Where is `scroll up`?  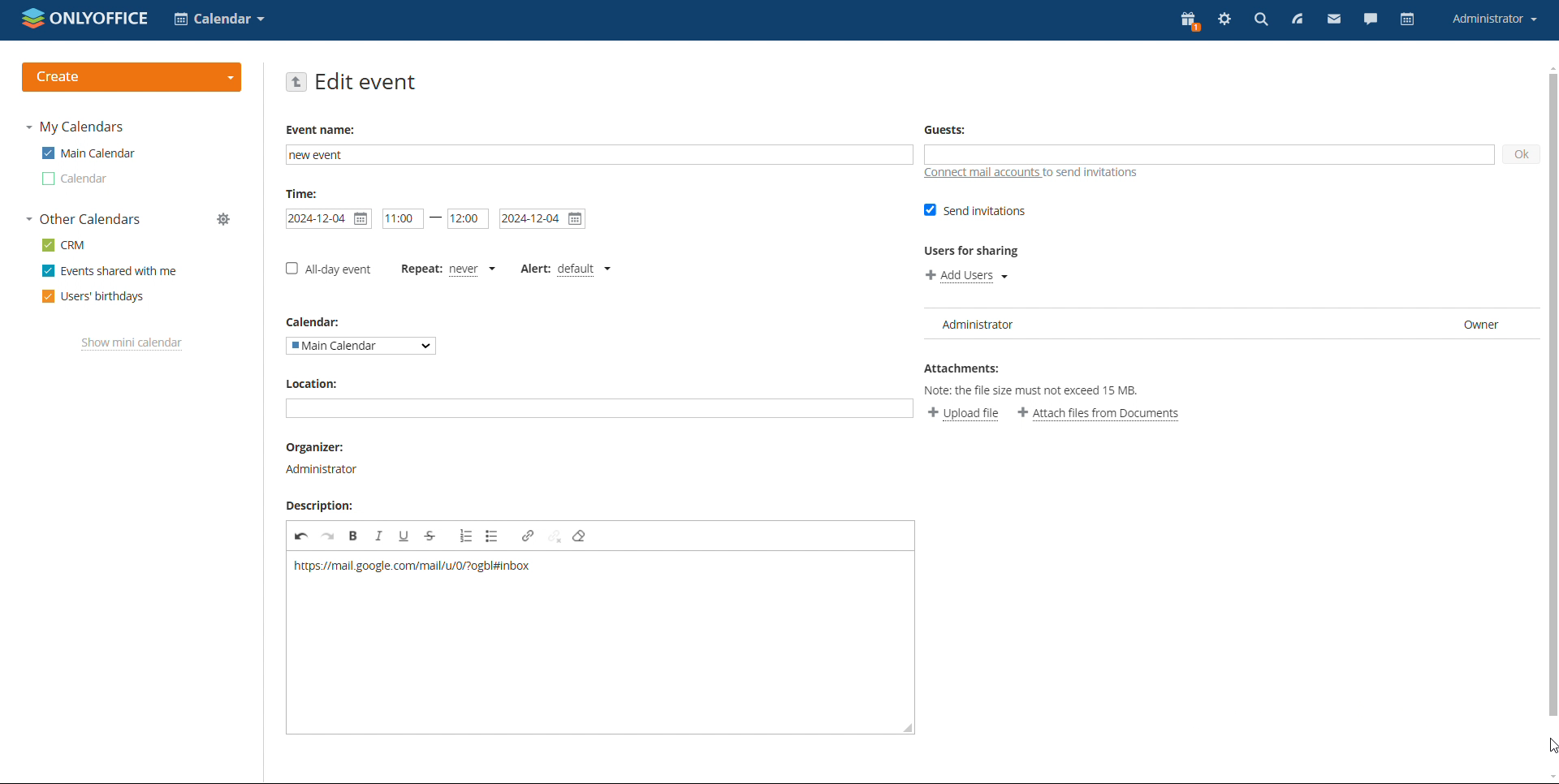 scroll up is located at coordinates (1549, 67).